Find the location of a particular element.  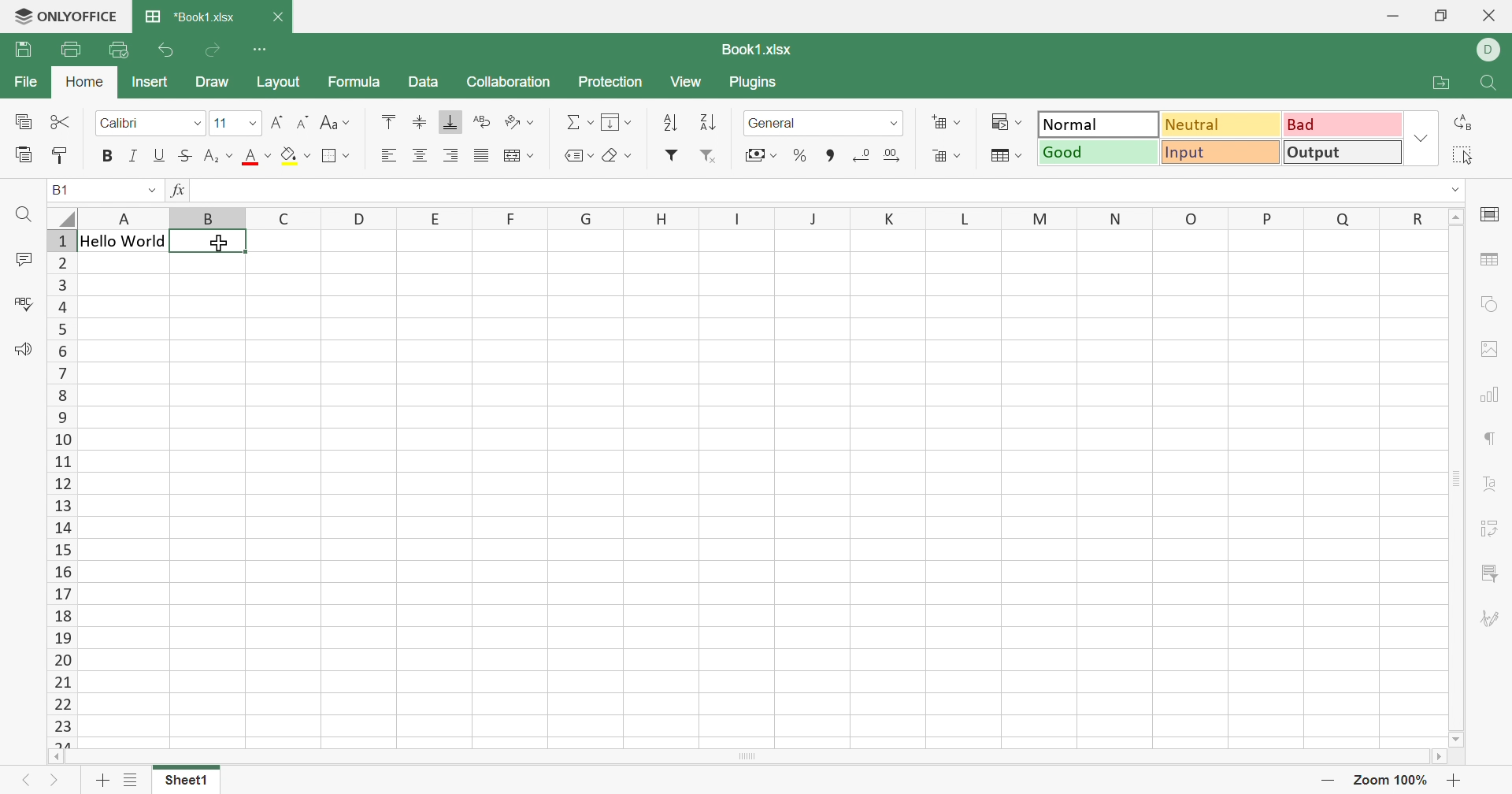

Output is located at coordinates (1343, 151).